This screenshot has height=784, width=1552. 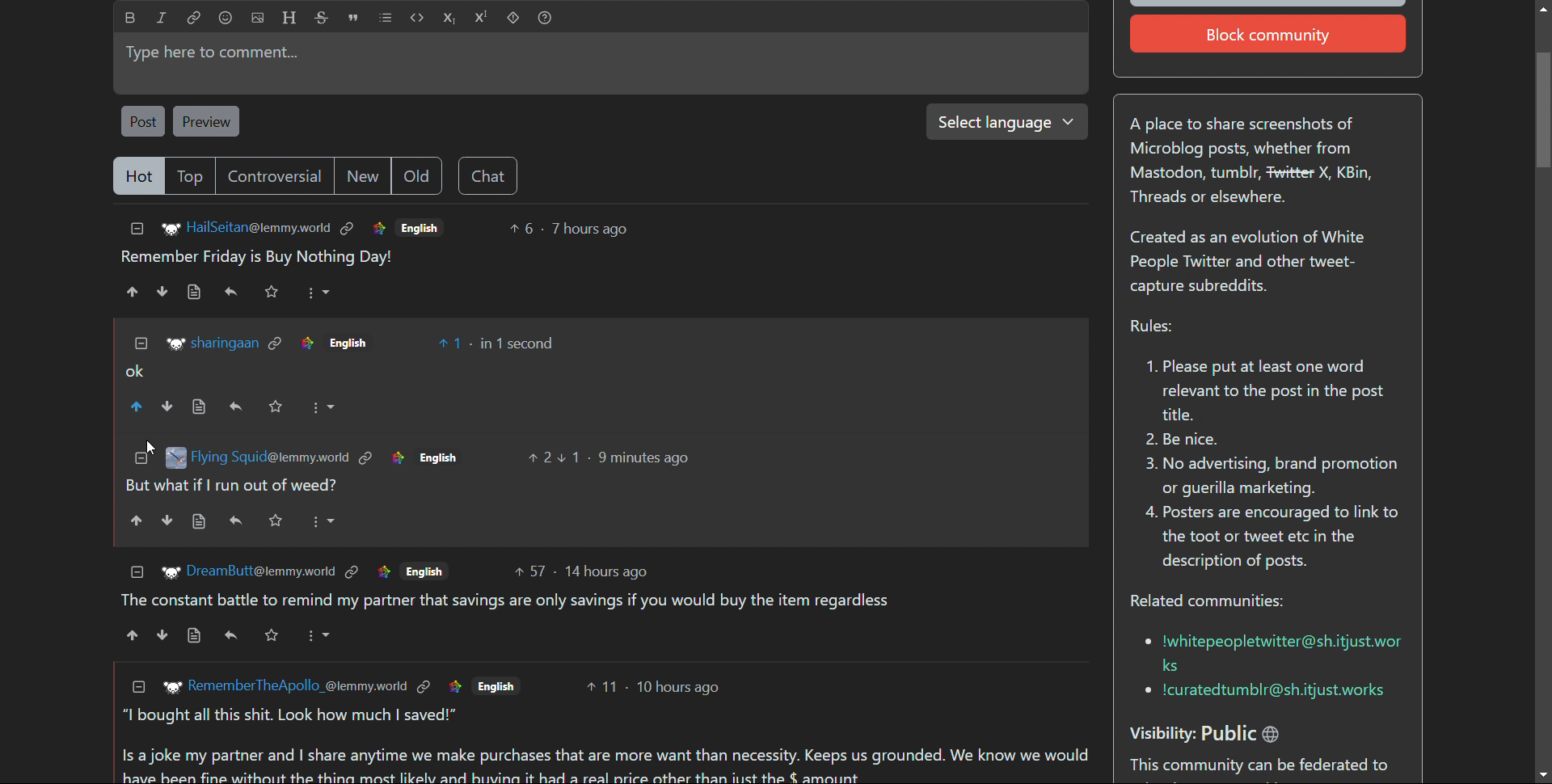 I want to click on subscript, so click(x=449, y=18).